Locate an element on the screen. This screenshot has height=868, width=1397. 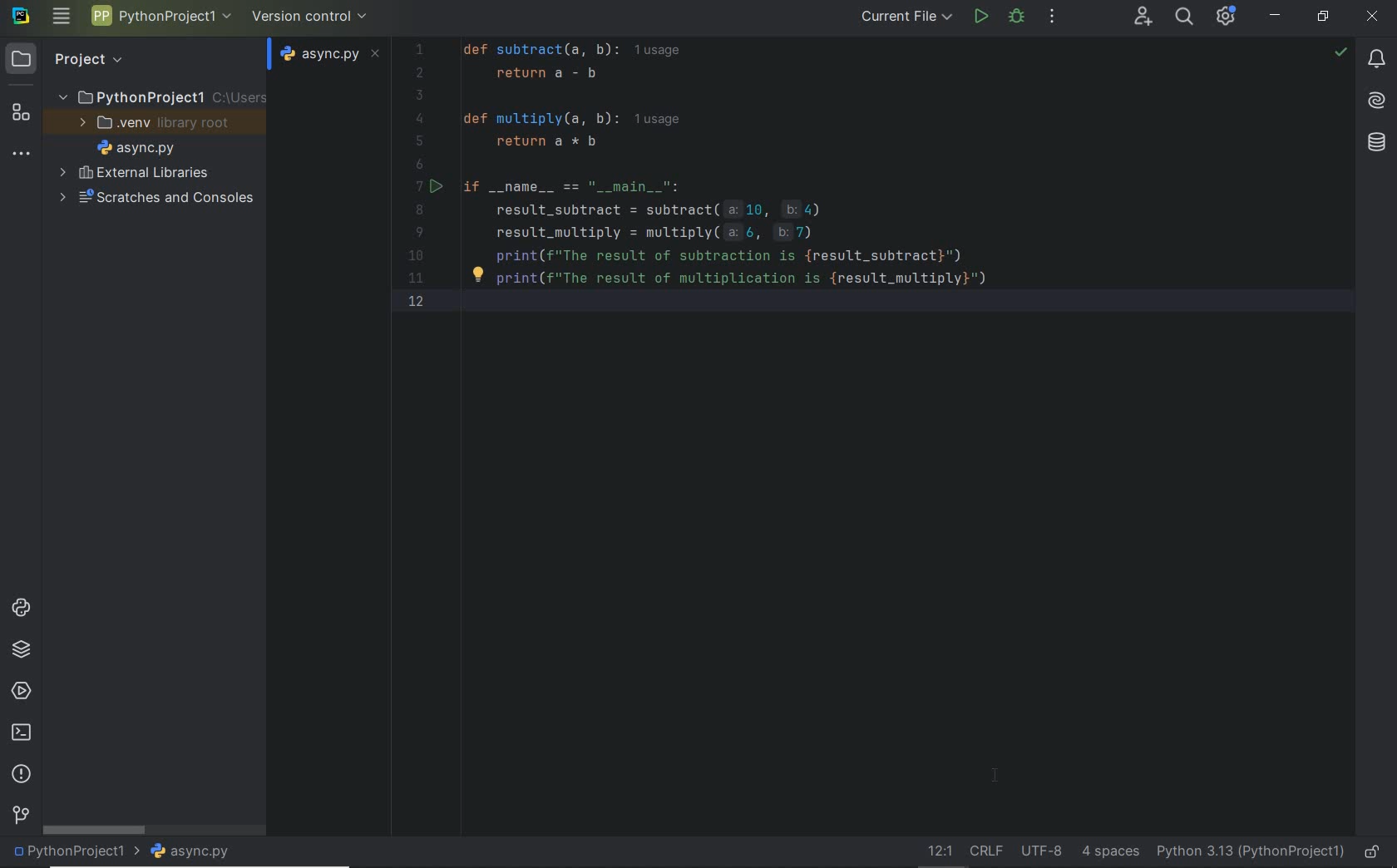
more tool windows is located at coordinates (22, 155).